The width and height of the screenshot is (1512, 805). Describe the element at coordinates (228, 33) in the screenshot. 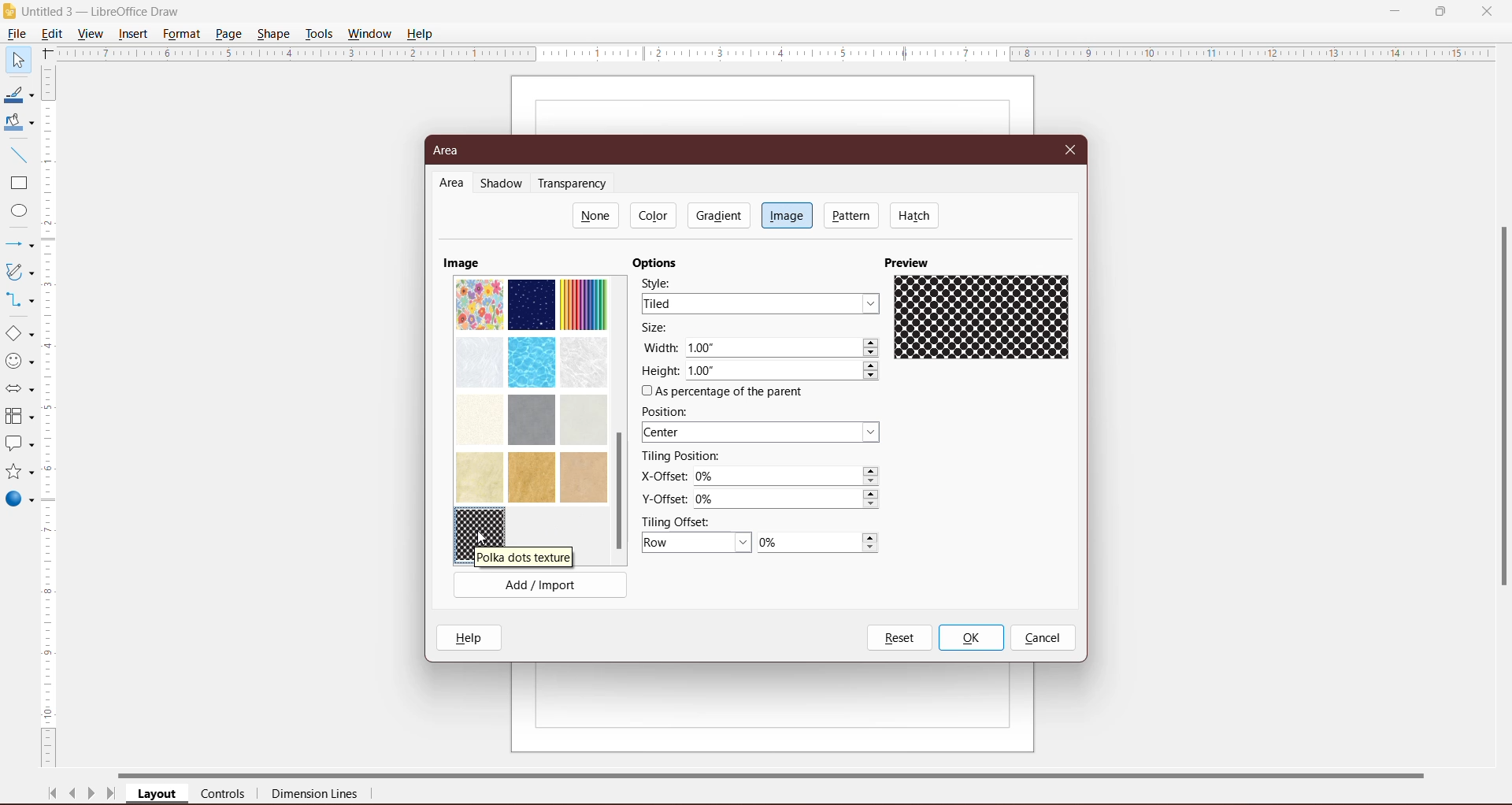

I see `Page` at that location.